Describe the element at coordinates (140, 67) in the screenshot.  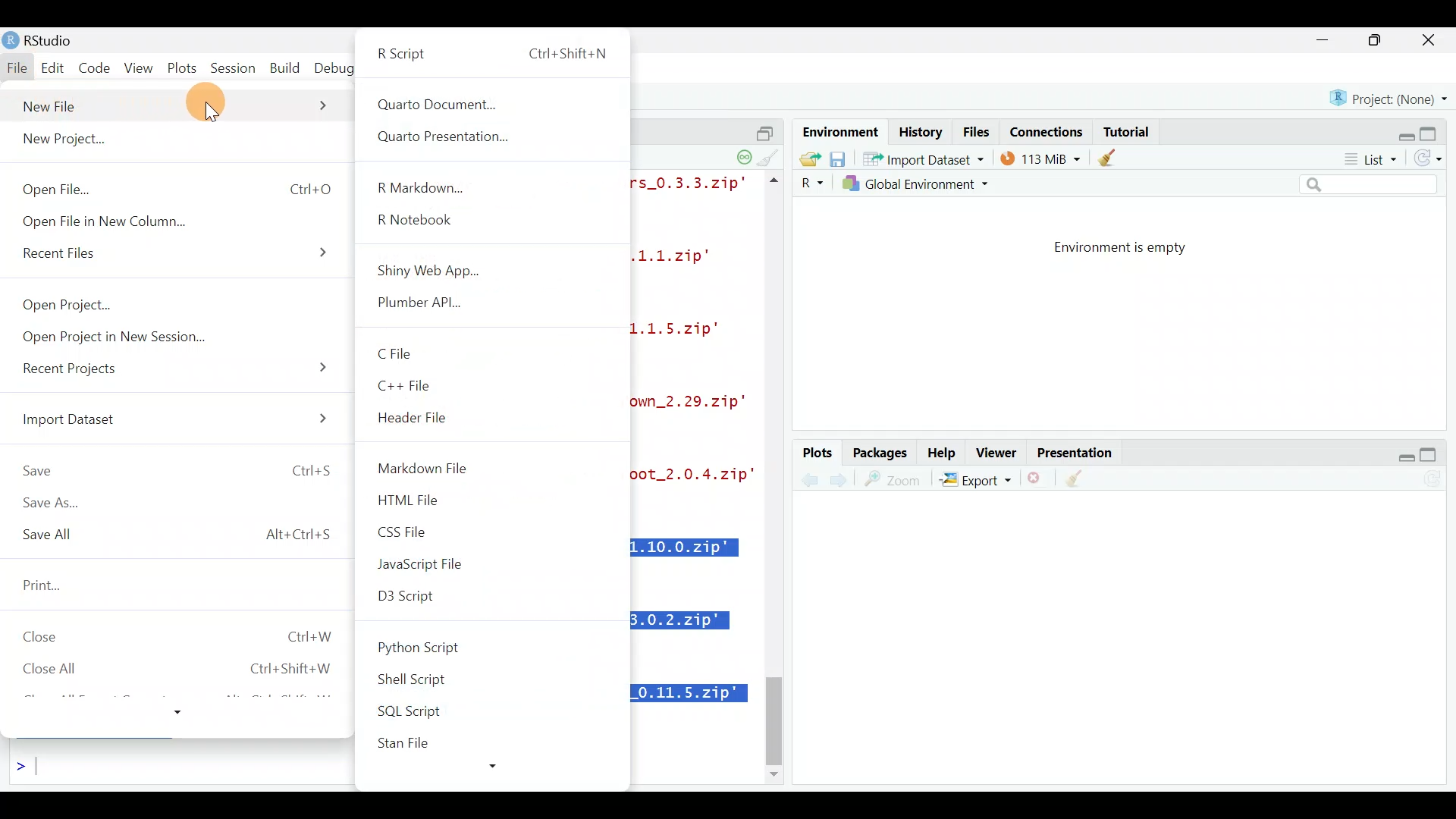
I see `View` at that location.